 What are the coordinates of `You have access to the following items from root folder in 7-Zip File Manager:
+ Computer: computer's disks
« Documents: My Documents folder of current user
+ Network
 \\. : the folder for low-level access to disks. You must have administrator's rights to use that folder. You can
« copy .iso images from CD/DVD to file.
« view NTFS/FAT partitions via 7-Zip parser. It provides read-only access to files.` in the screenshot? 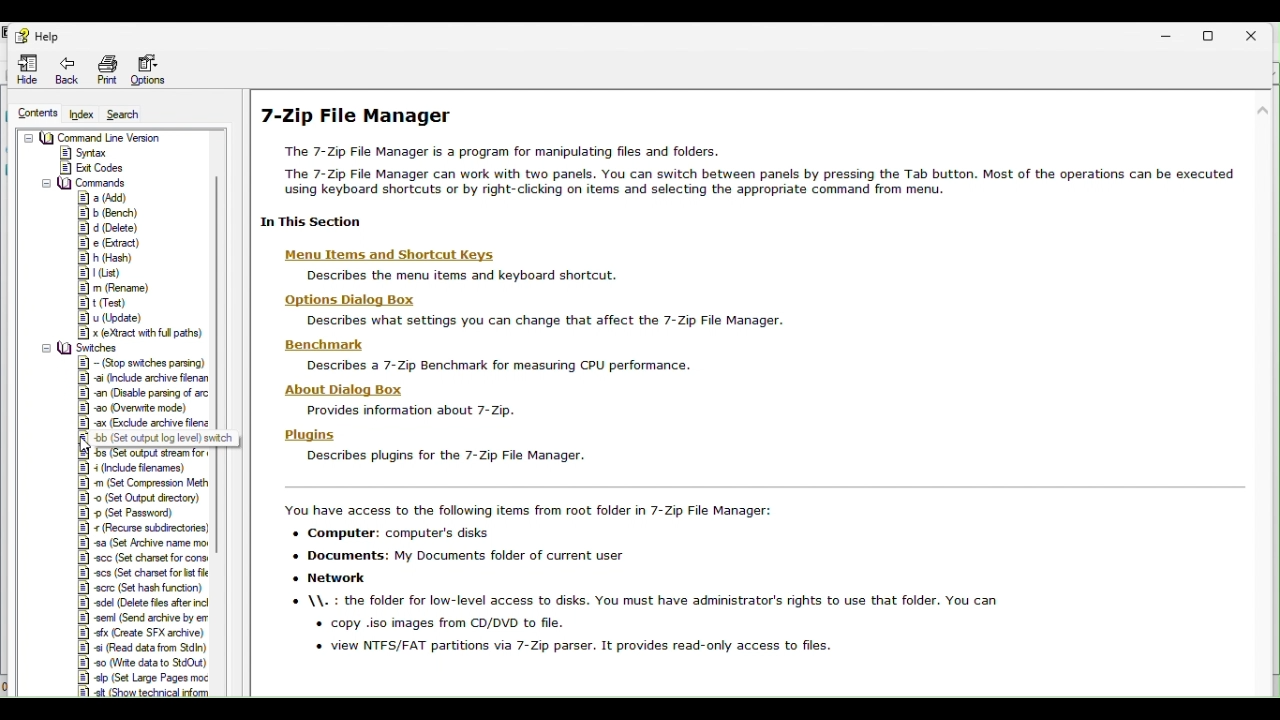 It's located at (637, 581).